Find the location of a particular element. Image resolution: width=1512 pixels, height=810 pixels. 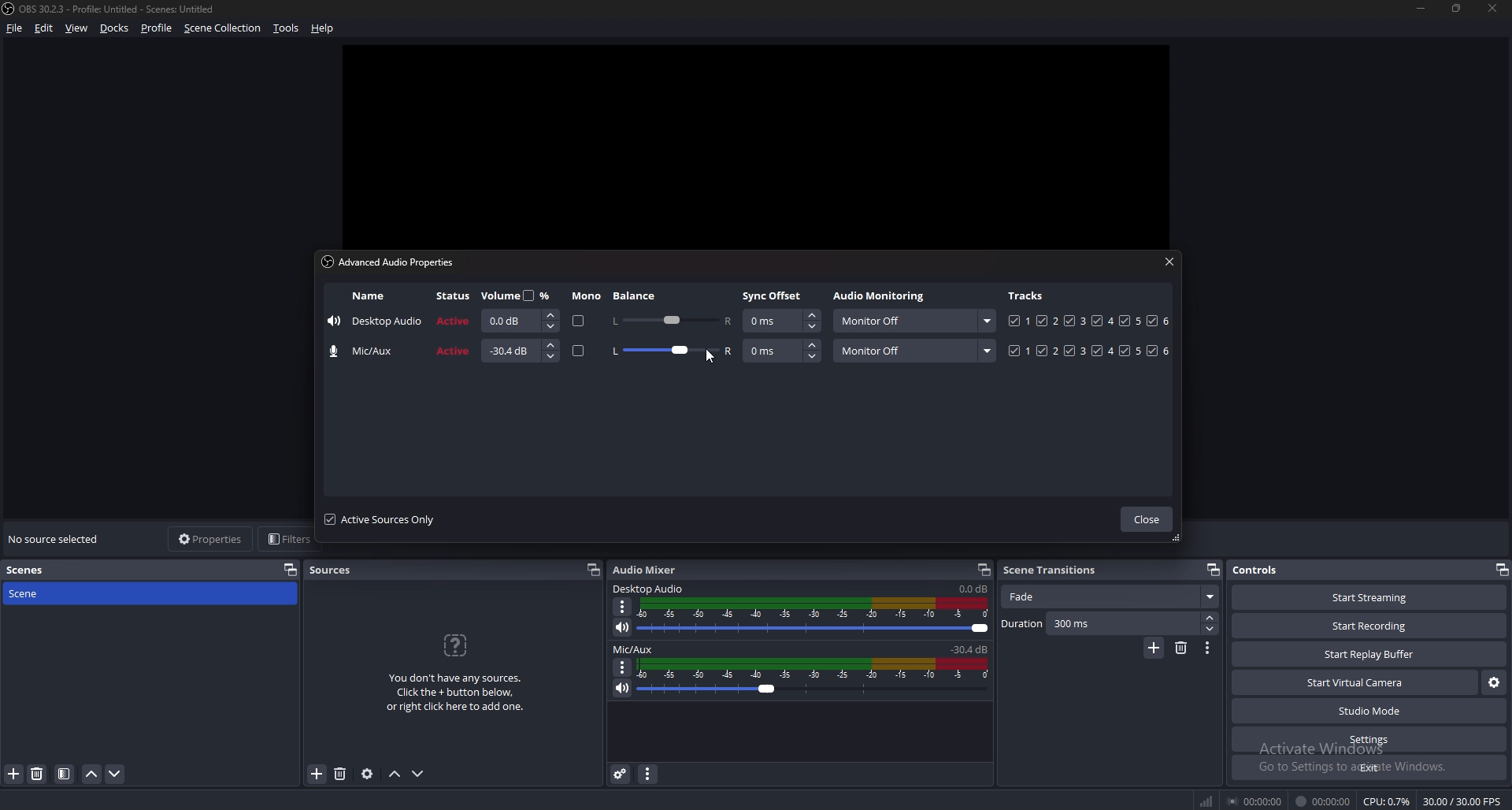

status is located at coordinates (456, 296).